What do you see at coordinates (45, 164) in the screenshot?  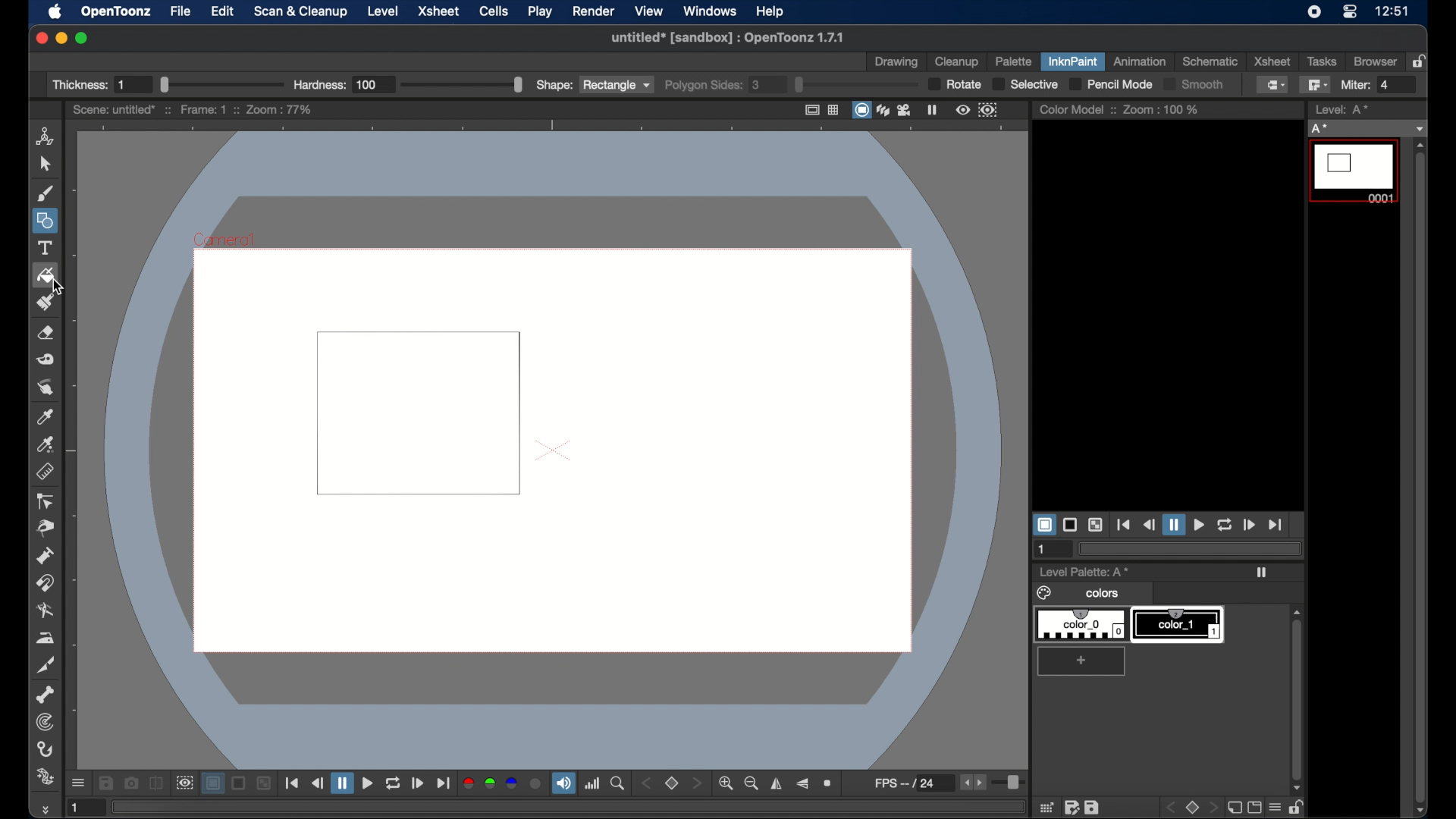 I see `cursor tool` at bounding box center [45, 164].